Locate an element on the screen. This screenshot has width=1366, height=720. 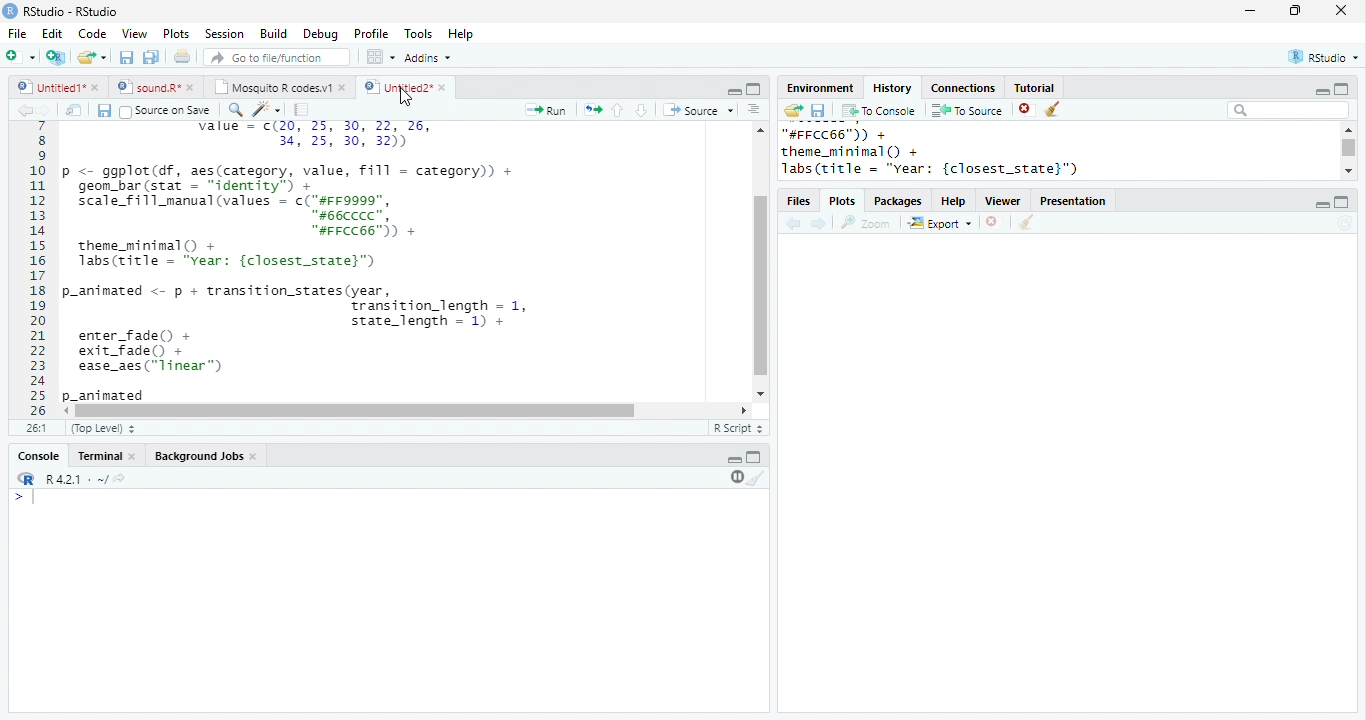
Zoom is located at coordinates (866, 223).